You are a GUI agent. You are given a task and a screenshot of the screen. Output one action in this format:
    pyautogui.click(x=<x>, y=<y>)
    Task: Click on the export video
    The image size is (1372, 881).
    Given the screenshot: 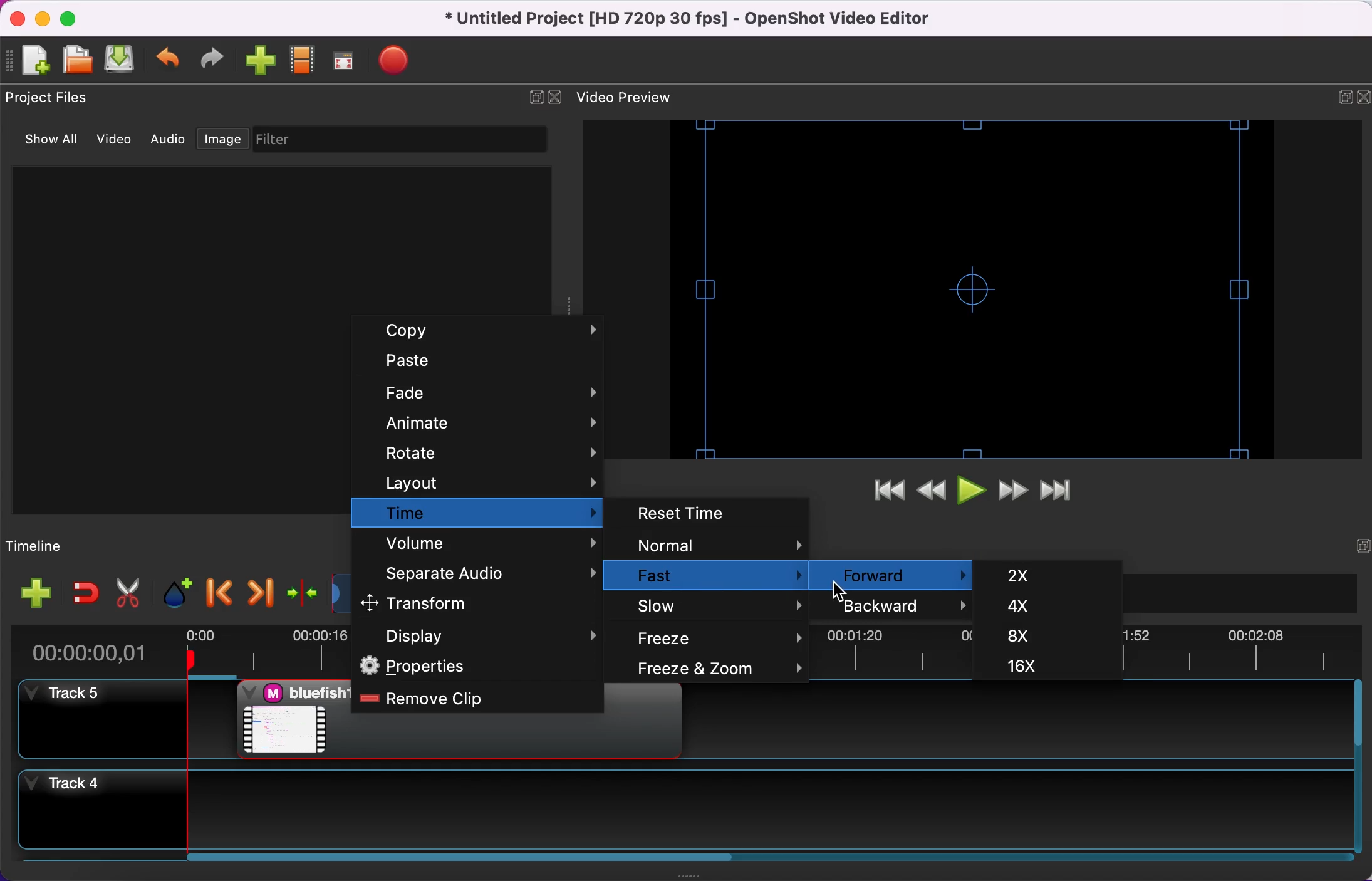 What is the action you would take?
    pyautogui.click(x=400, y=61)
    